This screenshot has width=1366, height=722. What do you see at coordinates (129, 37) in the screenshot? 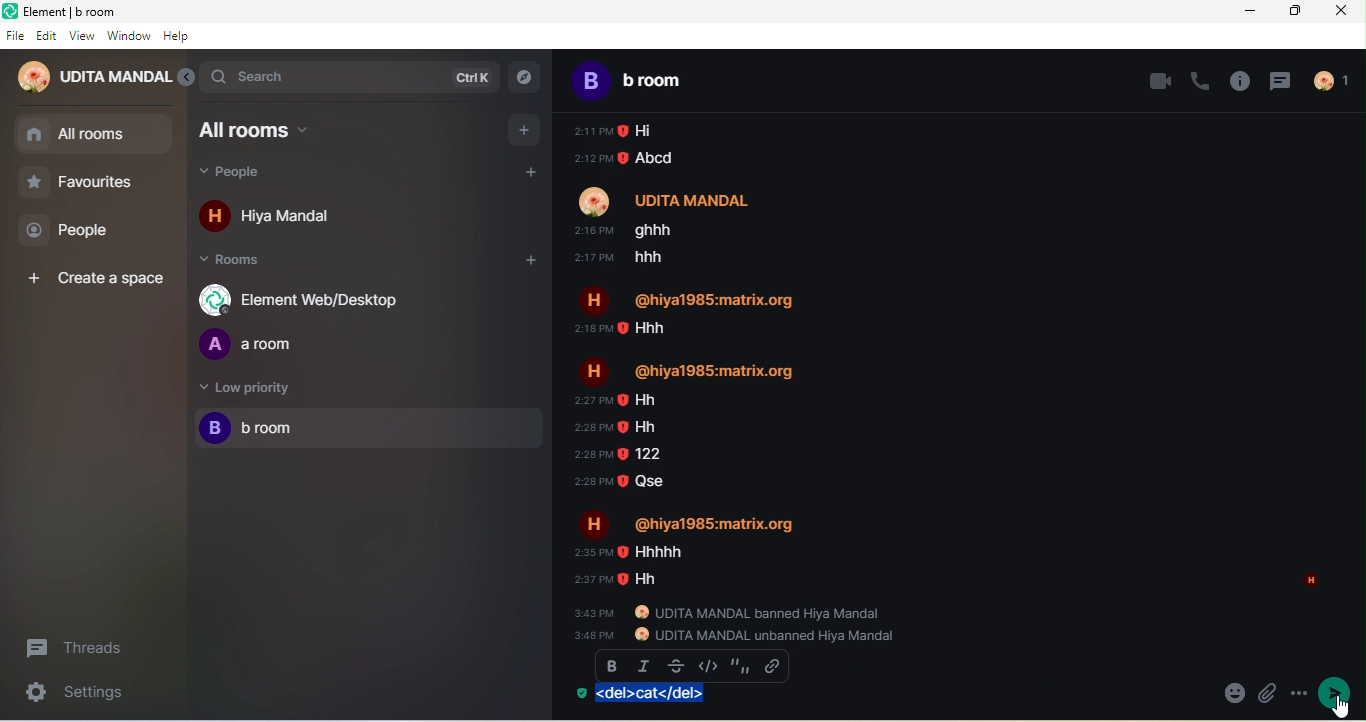
I see `window` at bounding box center [129, 37].